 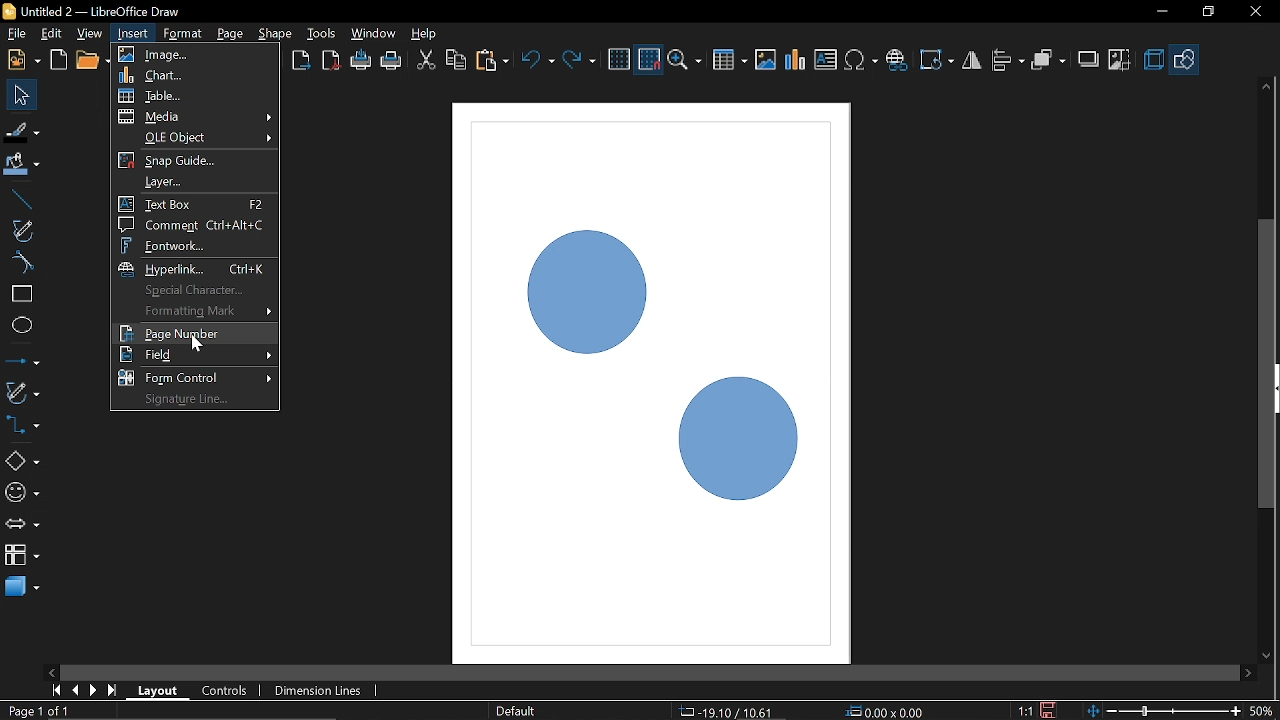 What do you see at coordinates (77, 690) in the screenshot?
I see `Previous page` at bounding box center [77, 690].